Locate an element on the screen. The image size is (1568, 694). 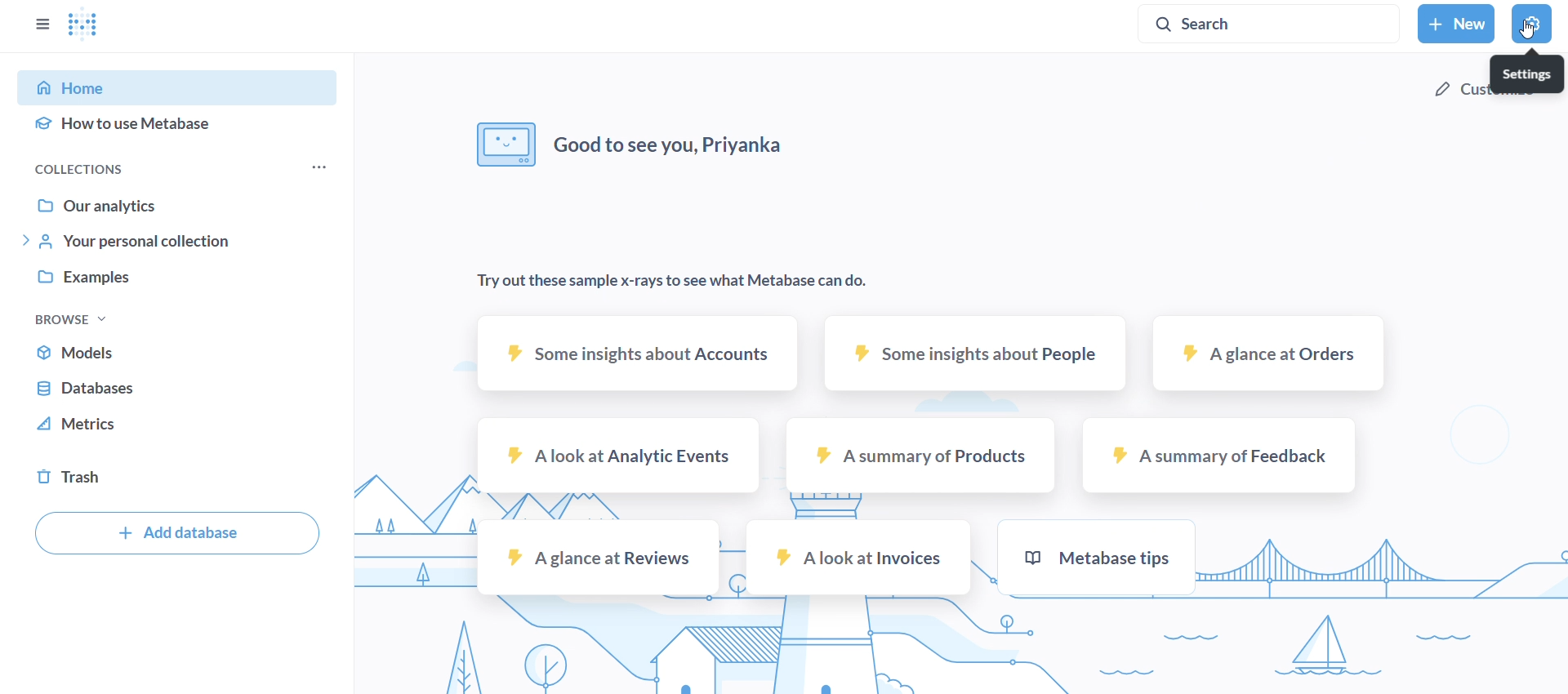
some insights about accounts is located at coordinates (632, 353).